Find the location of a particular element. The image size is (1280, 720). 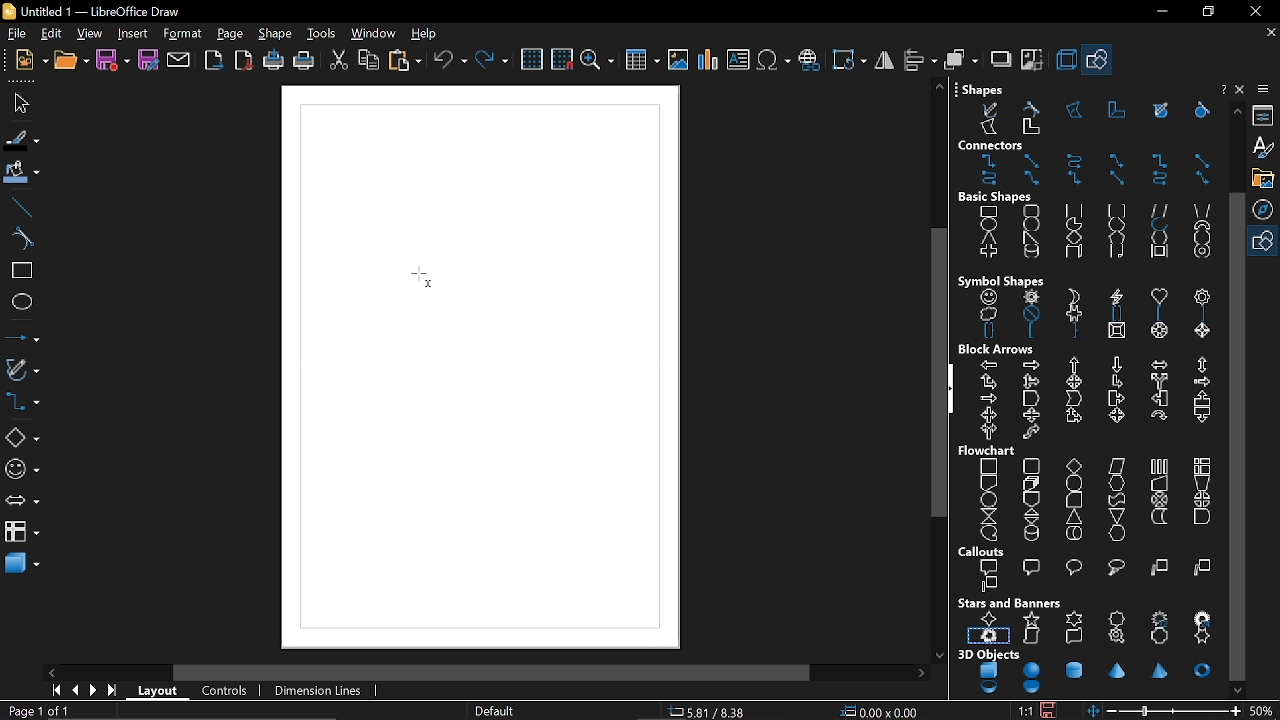

dimension lines is located at coordinates (322, 690).